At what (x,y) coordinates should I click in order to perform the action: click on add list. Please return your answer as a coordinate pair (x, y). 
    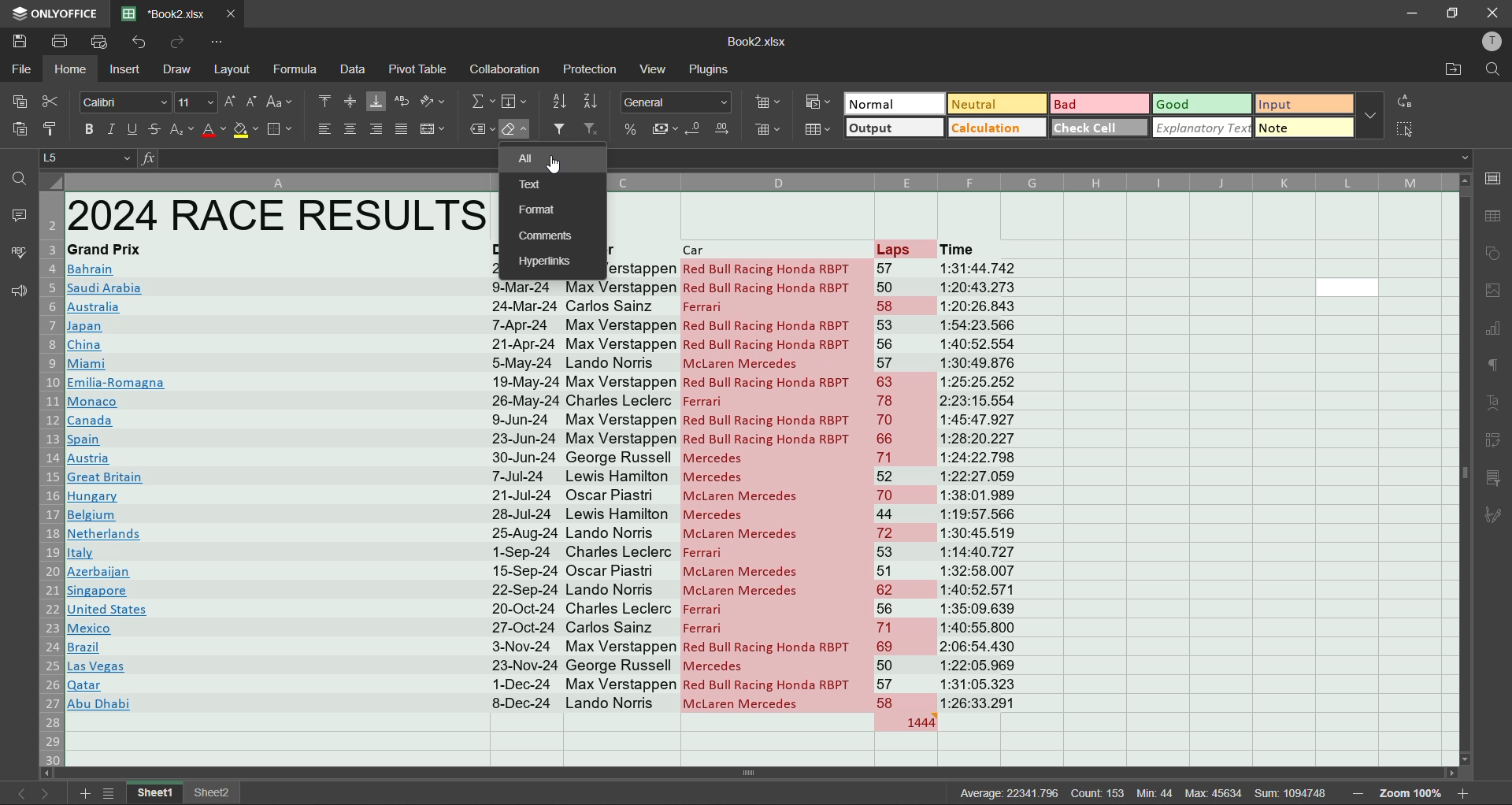
    Looking at the image, I should click on (87, 793).